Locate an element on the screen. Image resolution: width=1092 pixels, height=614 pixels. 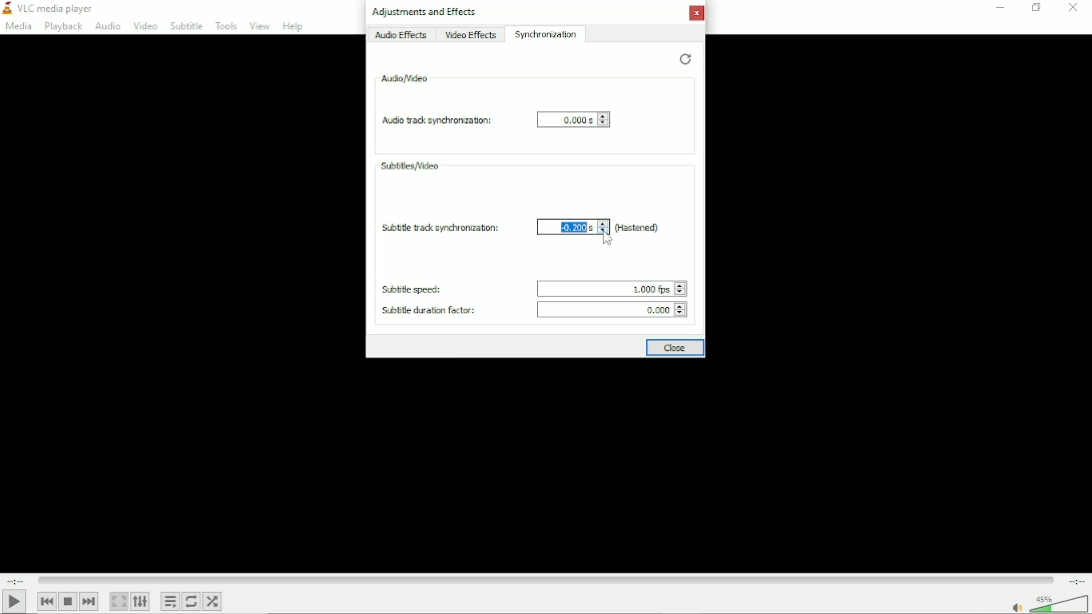
Help is located at coordinates (295, 26).